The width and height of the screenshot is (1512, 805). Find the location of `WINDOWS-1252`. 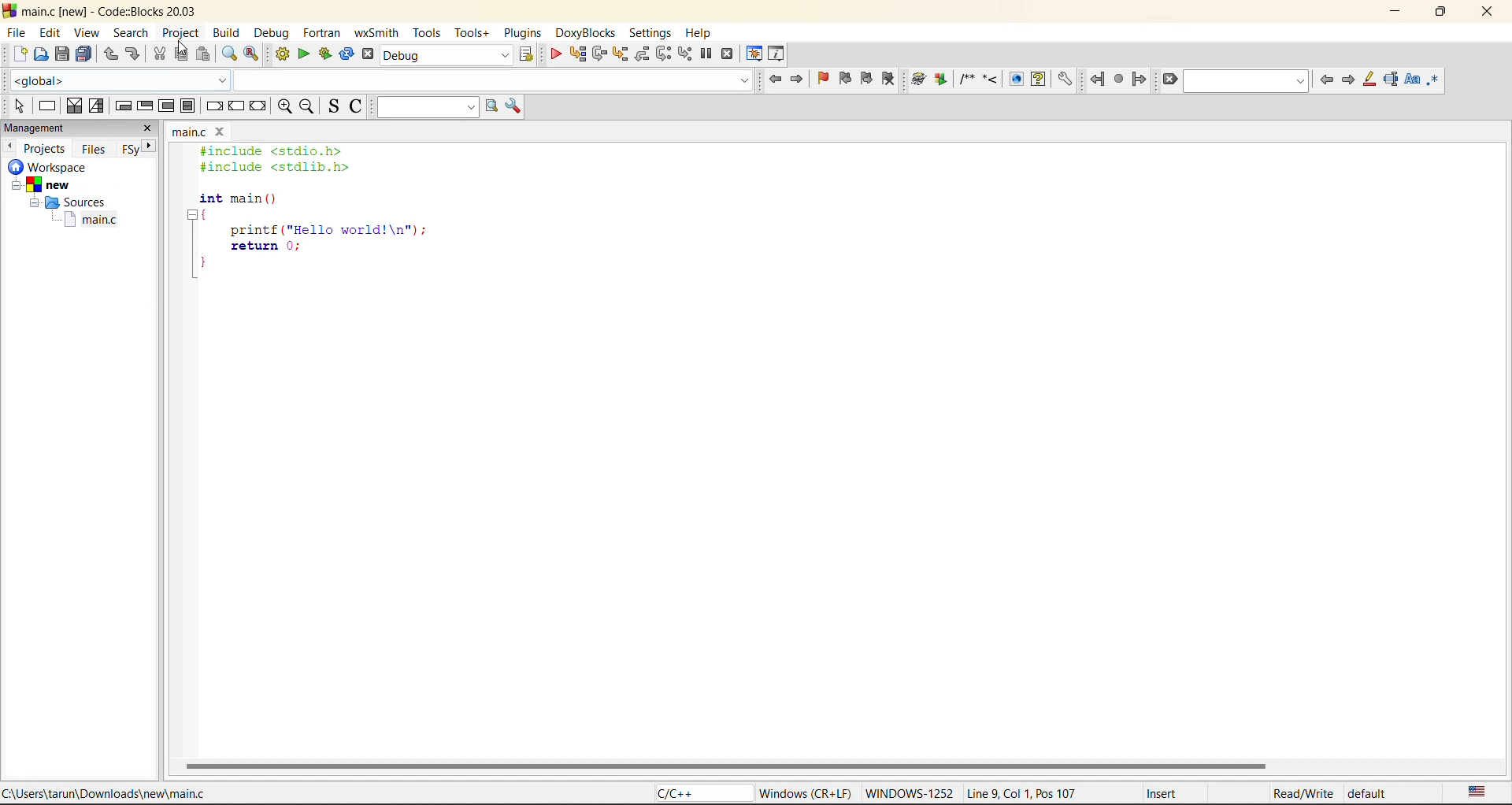

WINDOWS-1252 is located at coordinates (908, 795).